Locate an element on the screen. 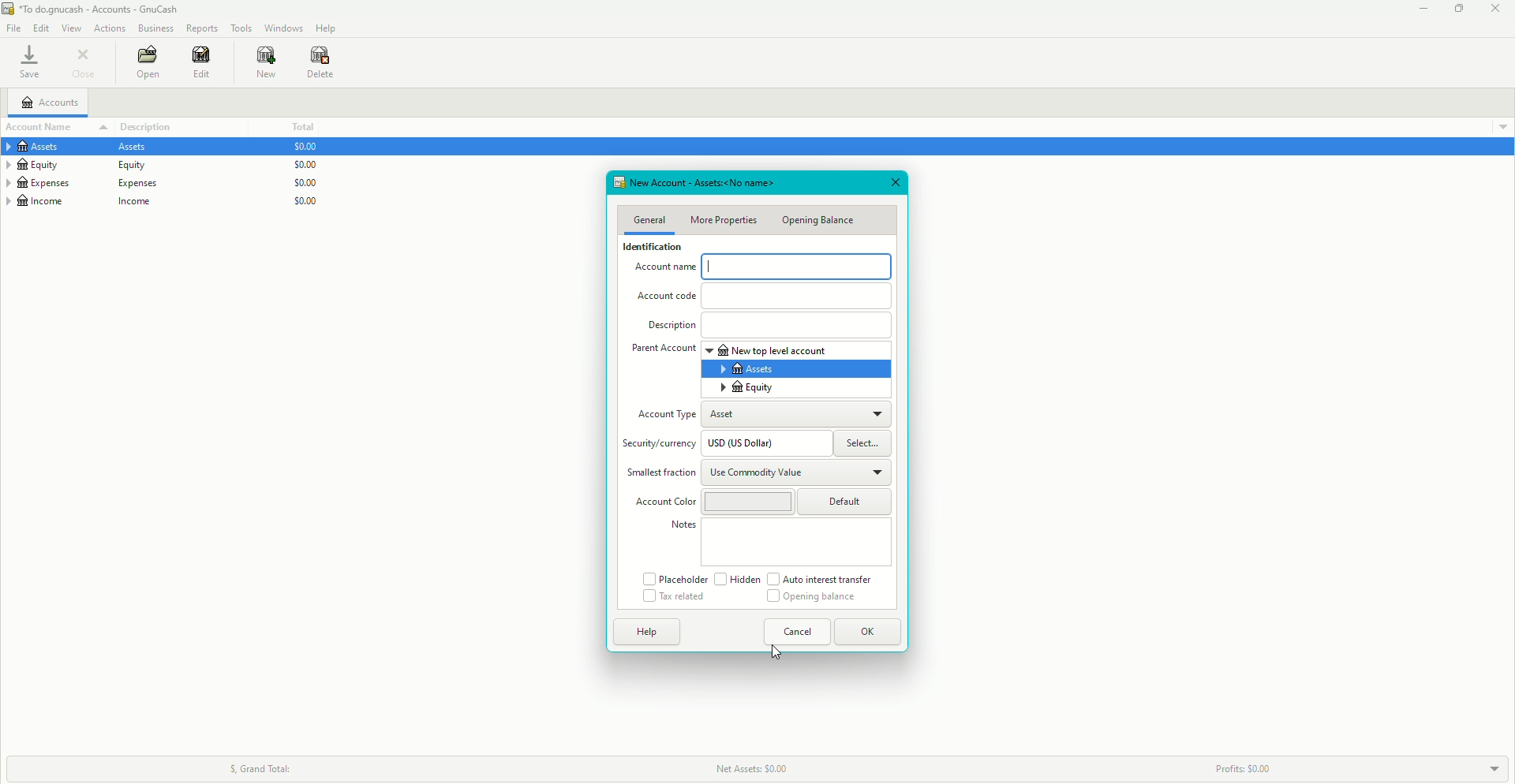 This screenshot has width=1515, height=784. Account code is located at coordinates (670, 299).